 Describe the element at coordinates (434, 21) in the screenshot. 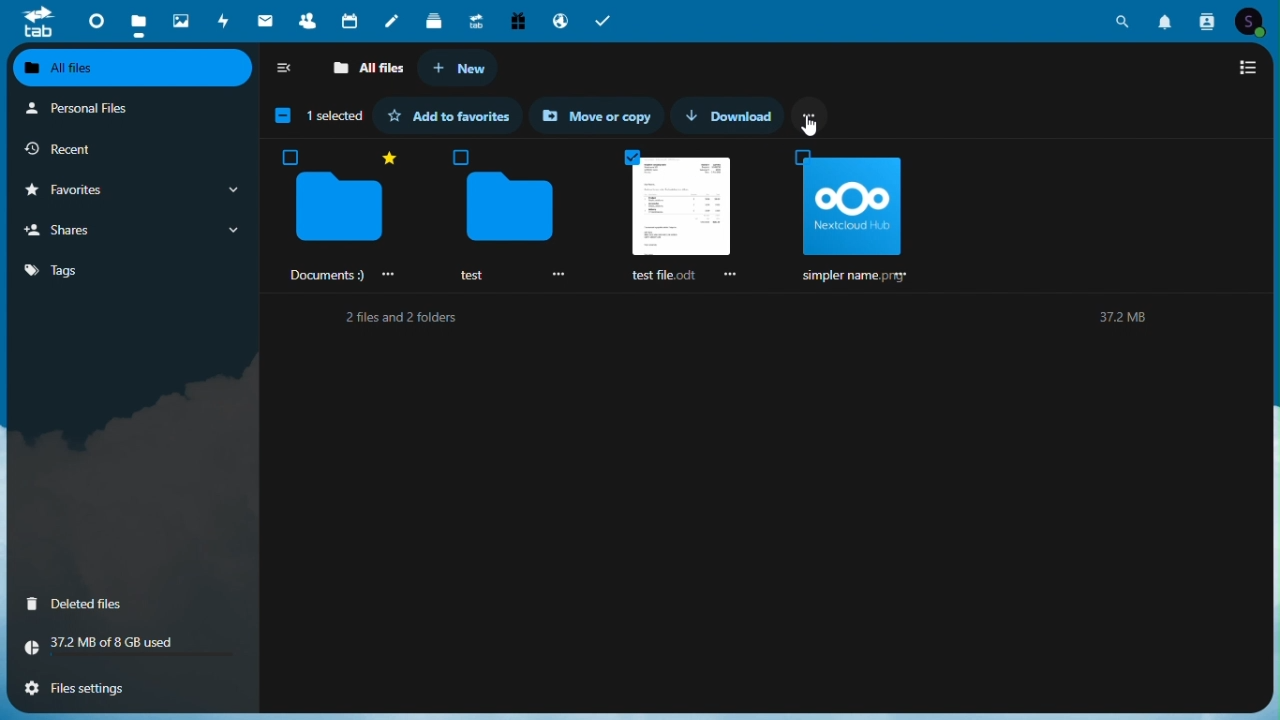

I see `deck` at that location.